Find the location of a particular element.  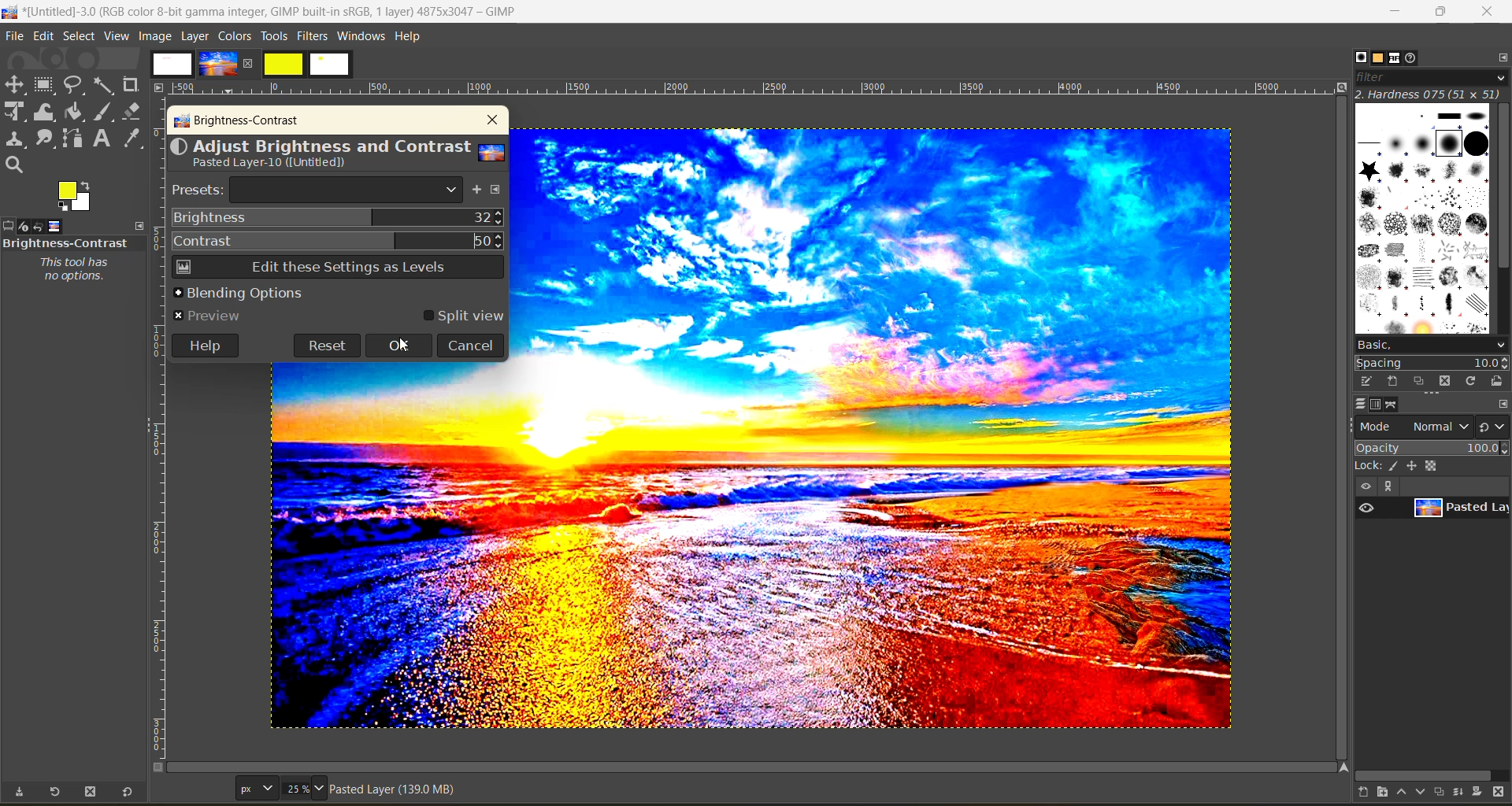

windows is located at coordinates (362, 37).